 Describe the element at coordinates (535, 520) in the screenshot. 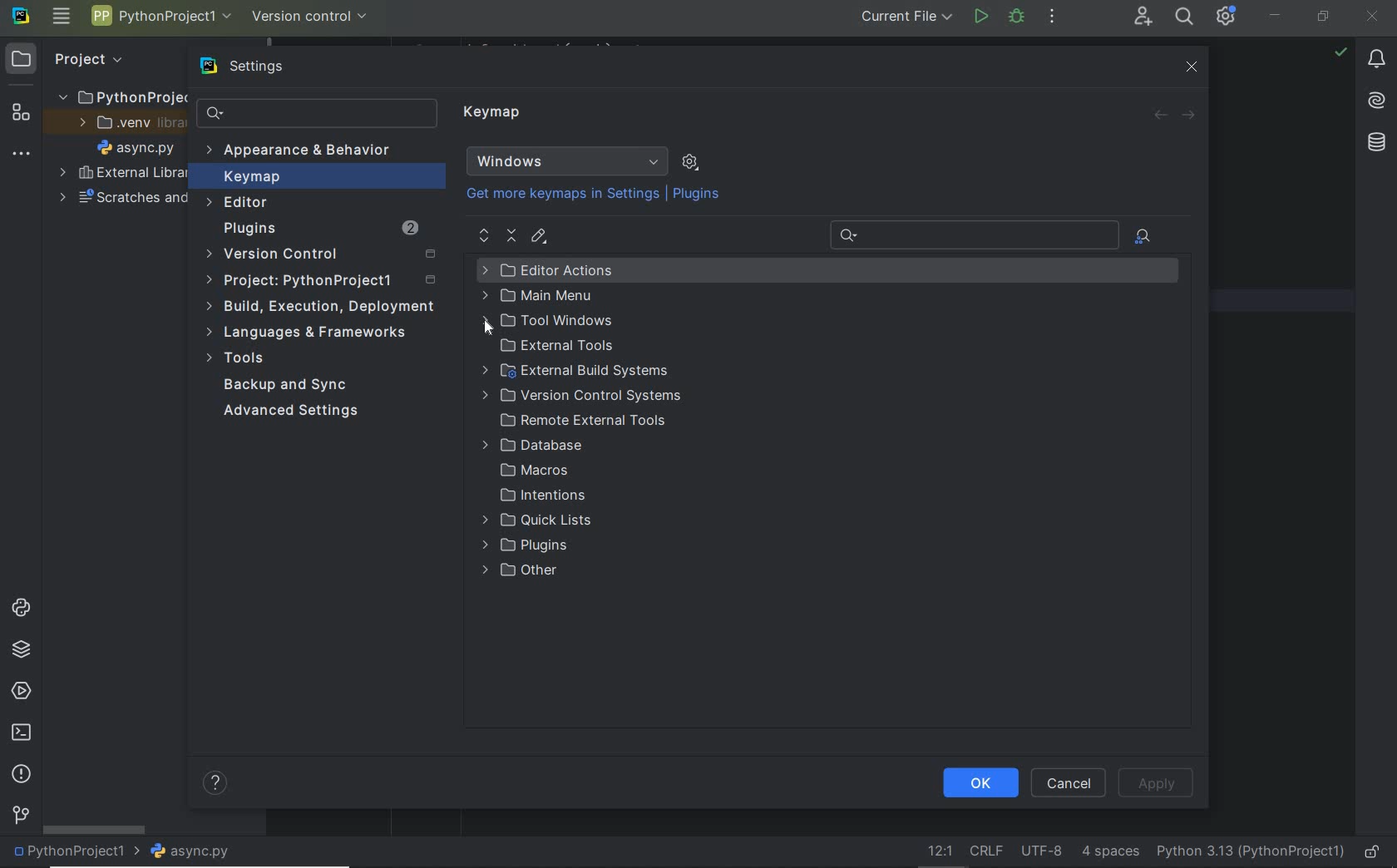

I see `Quick lists` at that location.